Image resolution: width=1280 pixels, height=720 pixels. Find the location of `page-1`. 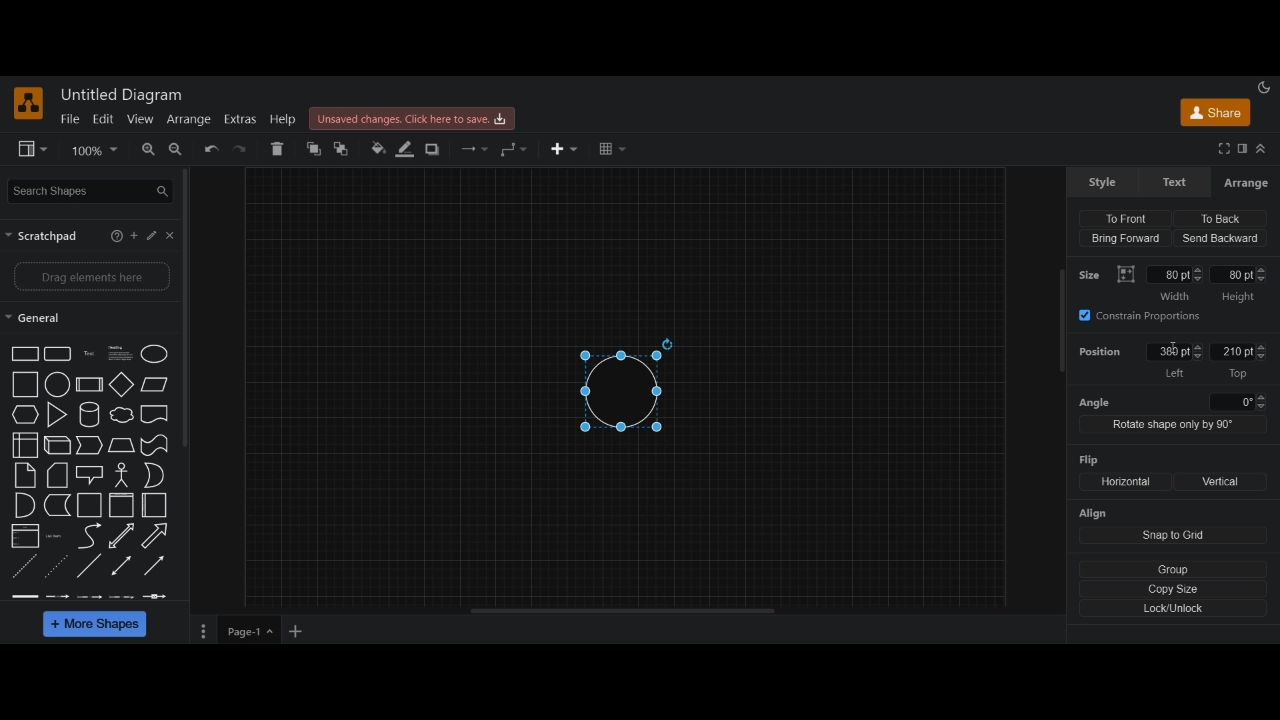

page-1 is located at coordinates (251, 631).